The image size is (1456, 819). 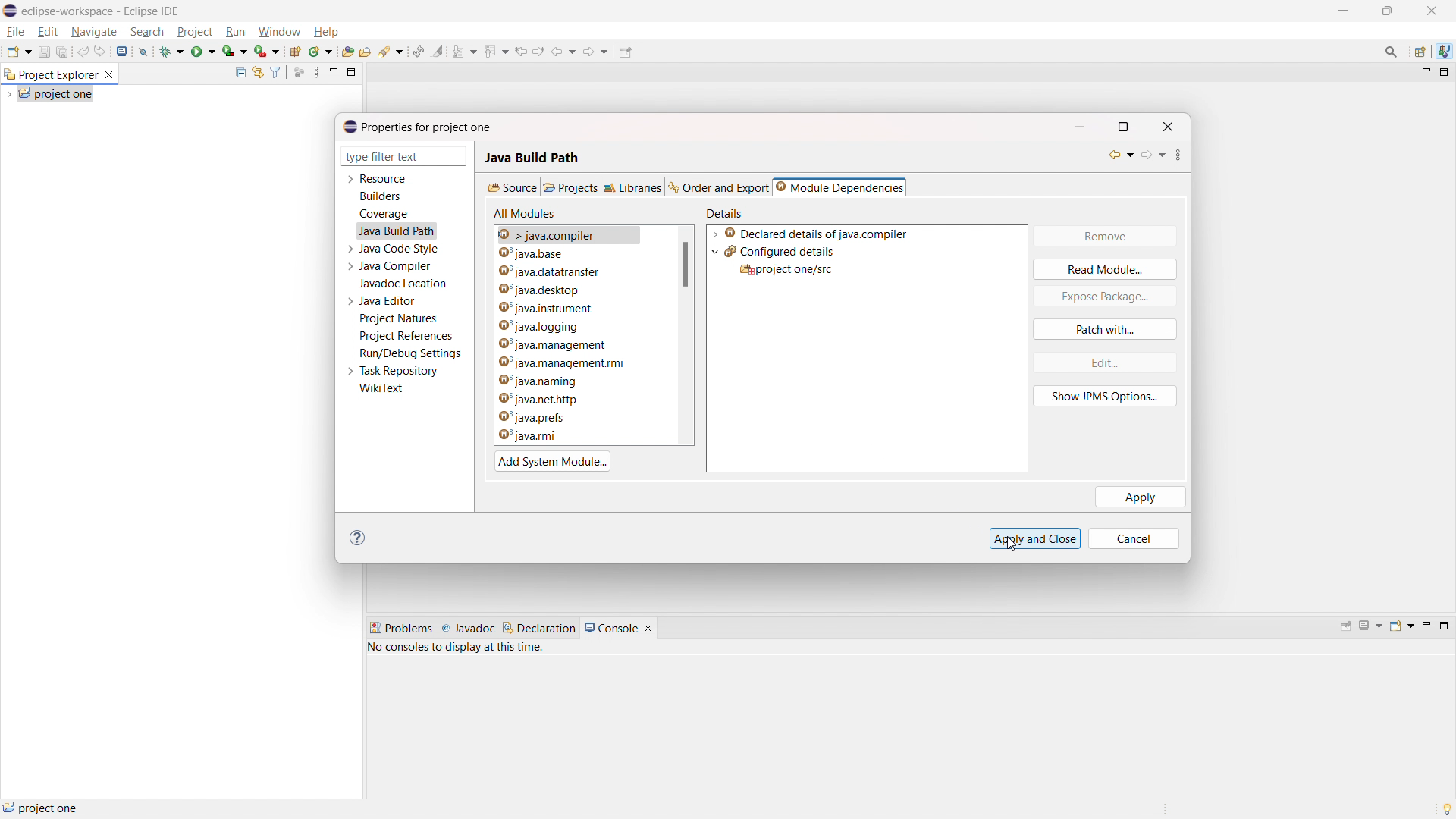 What do you see at coordinates (366, 51) in the screenshot?
I see `open task` at bounding box center [366, 51].